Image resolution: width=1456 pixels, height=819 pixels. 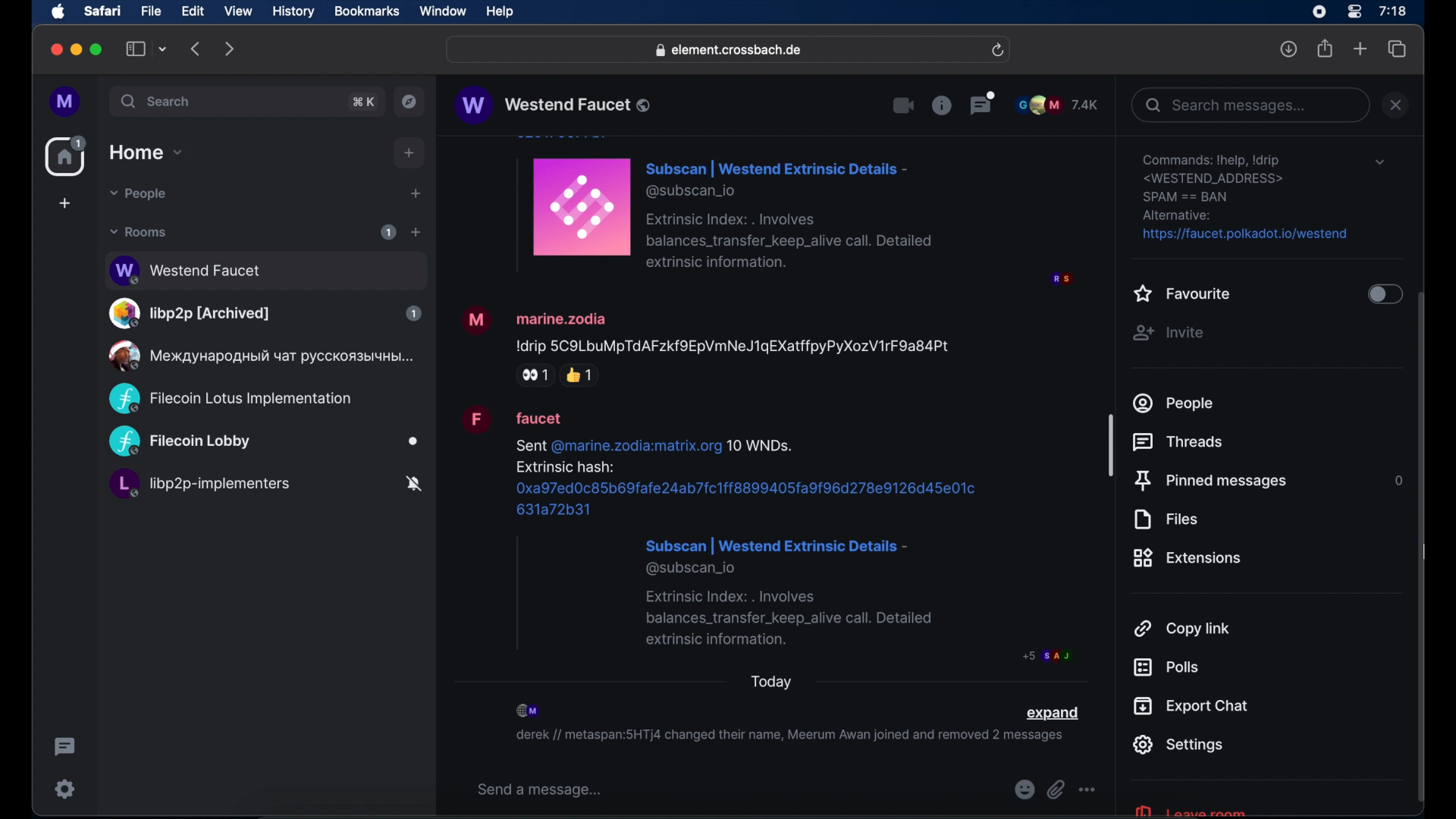 What do you see at coordinates (1166, 667) in the screenshot?
I see `polls` at bounding box center [1166, 667].